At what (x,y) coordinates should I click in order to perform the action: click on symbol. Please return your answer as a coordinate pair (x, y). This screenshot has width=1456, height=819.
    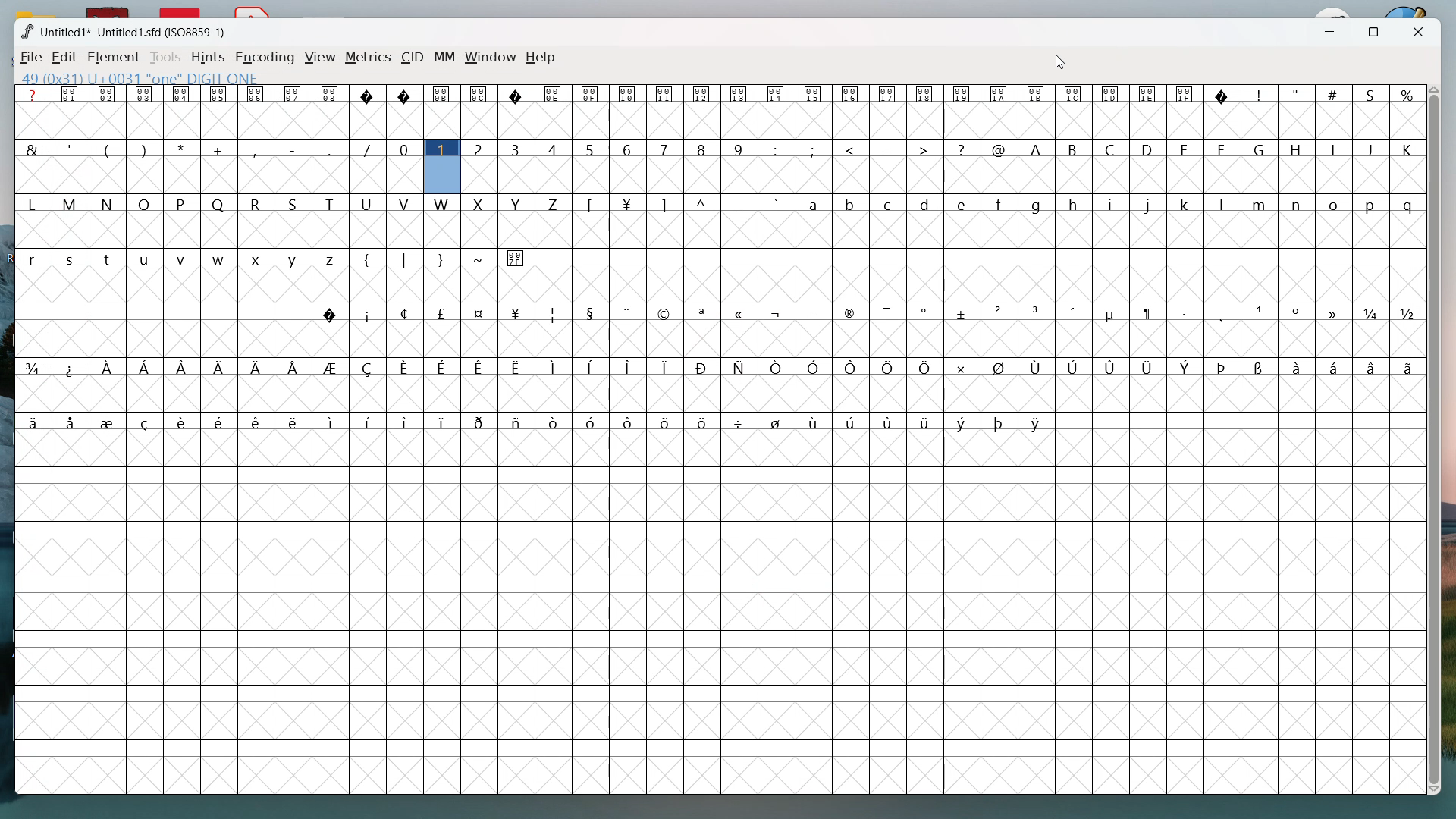
    Looking at the image, I should click on (886, 312).